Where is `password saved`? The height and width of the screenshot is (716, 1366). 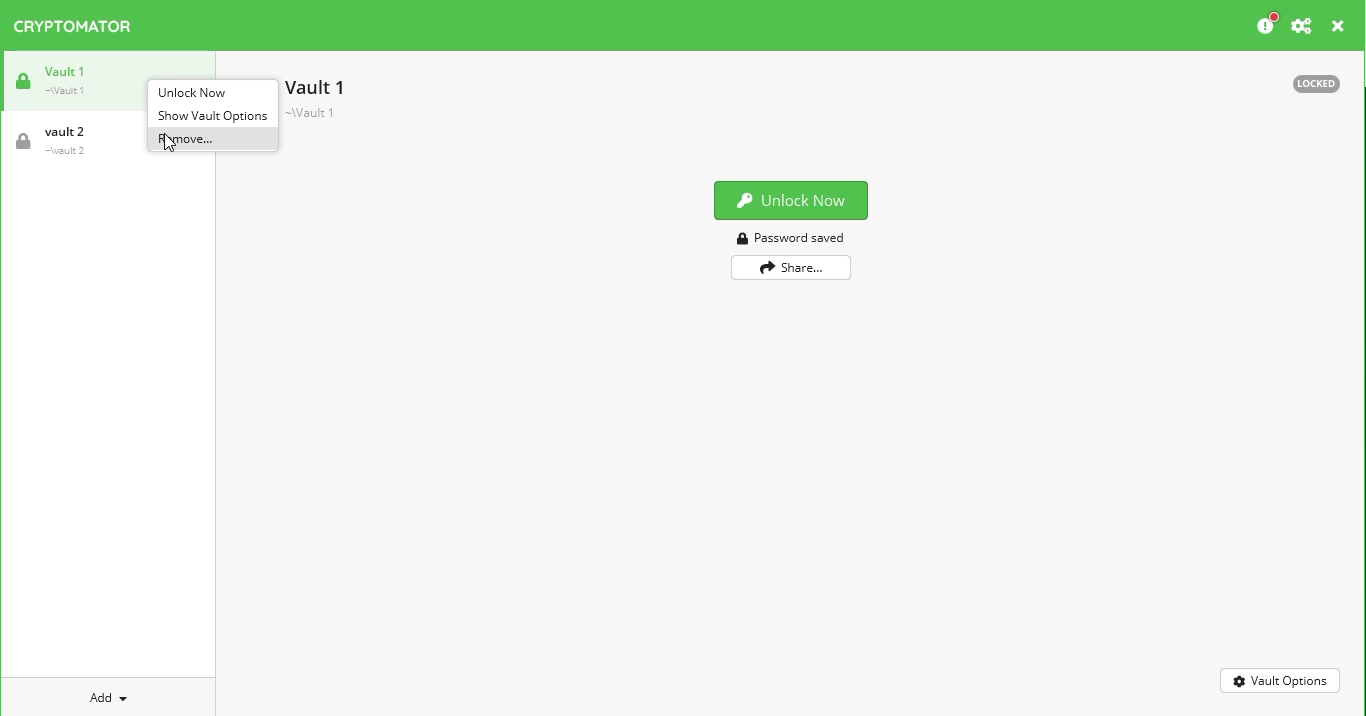
password saved is located at coordinates (791, 238).